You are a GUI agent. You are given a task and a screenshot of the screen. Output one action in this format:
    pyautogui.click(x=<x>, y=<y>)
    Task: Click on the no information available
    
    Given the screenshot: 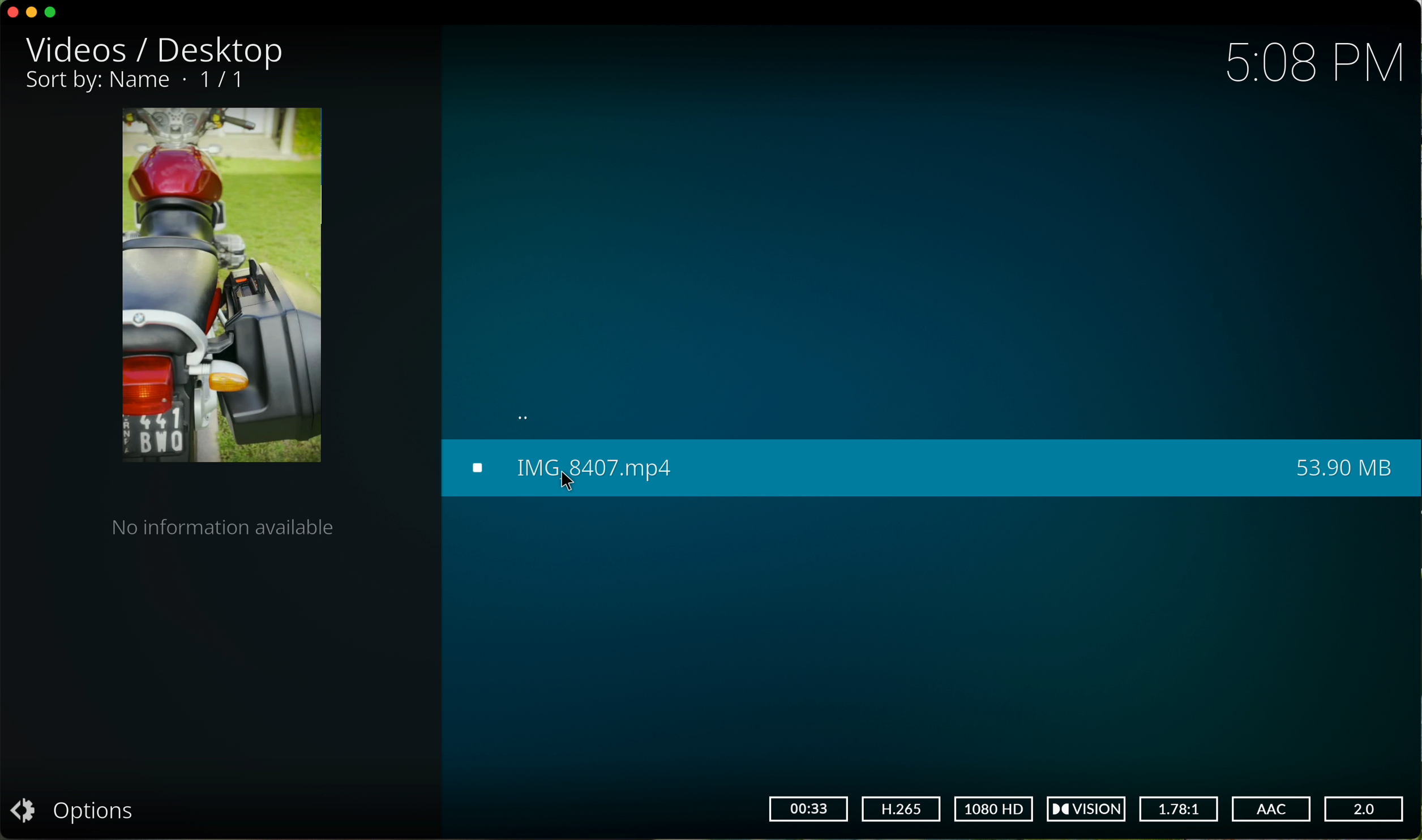 What is the action you would take?
    pyautogui.click(x=222, y=530)
    